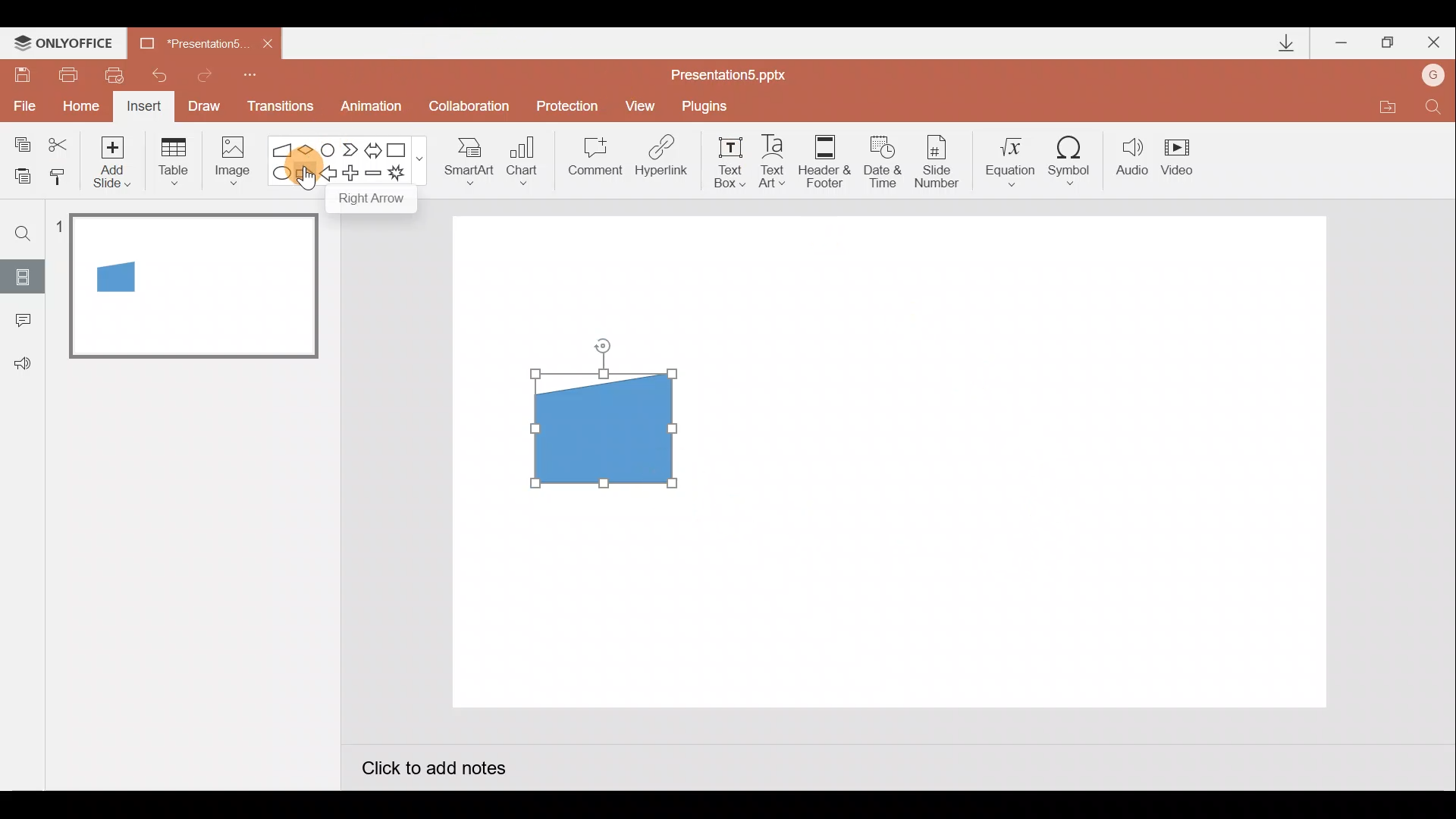 The image size is (1456, 819). Describe the element at coordinates (1434, 77) in the screenshot. I see `Account name` at that location.